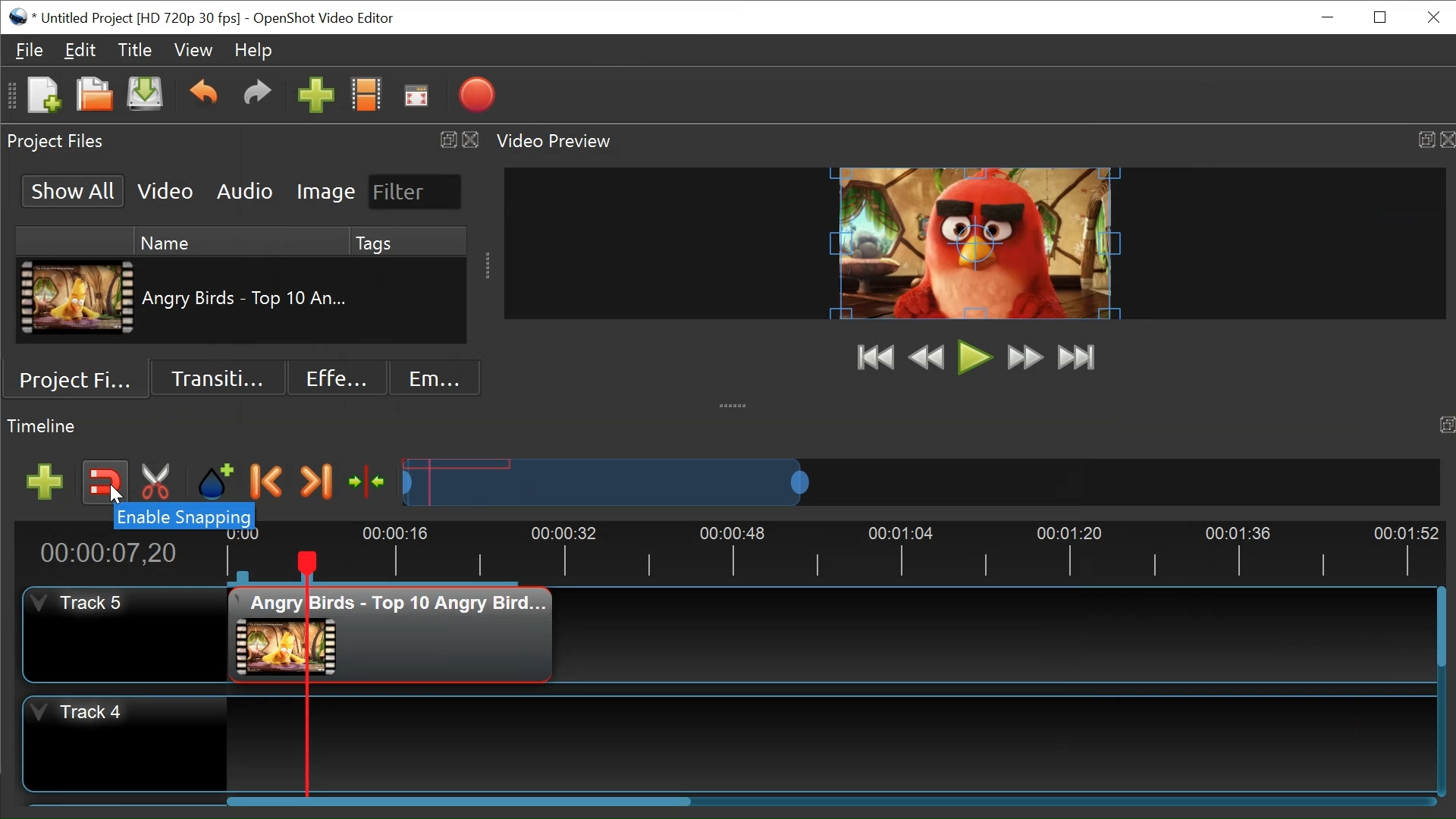 This screenshot has height=819, width=1456. I want to click on Next Marker, so click(315, 483).